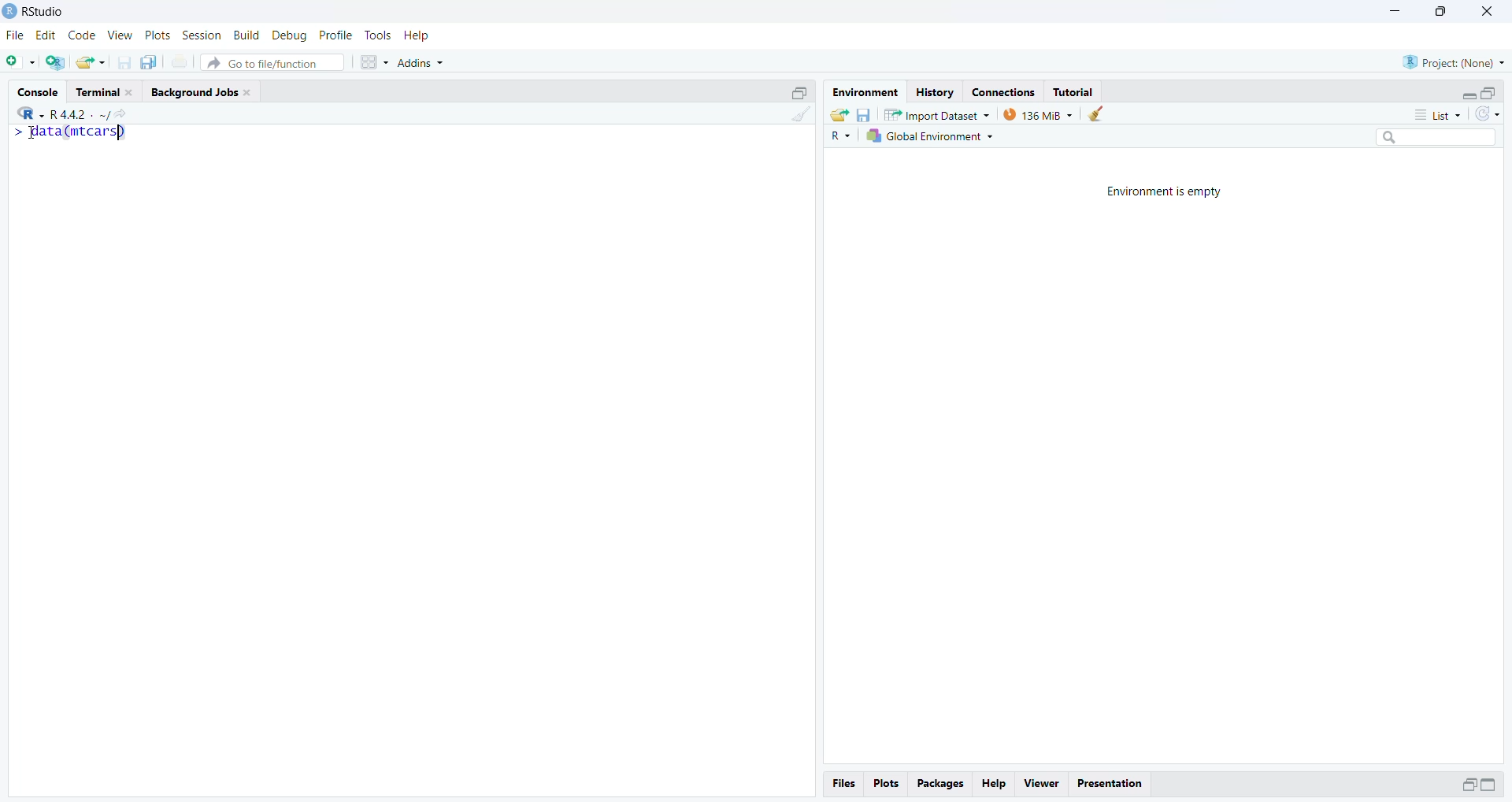  I want to click on Debug, so click(289, 35).